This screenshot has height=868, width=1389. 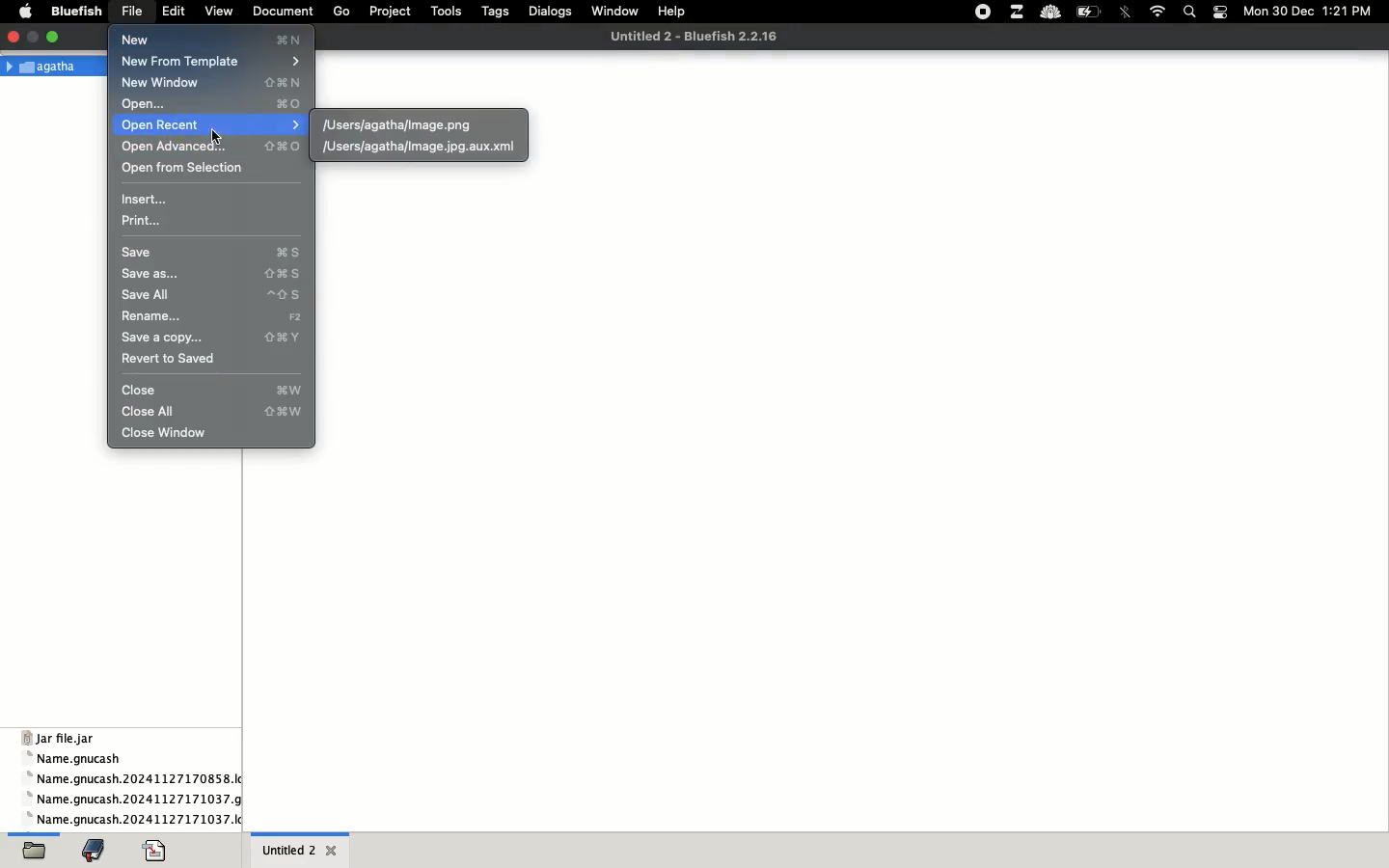 I want to click on dialogs, so click(x=551, y=14).